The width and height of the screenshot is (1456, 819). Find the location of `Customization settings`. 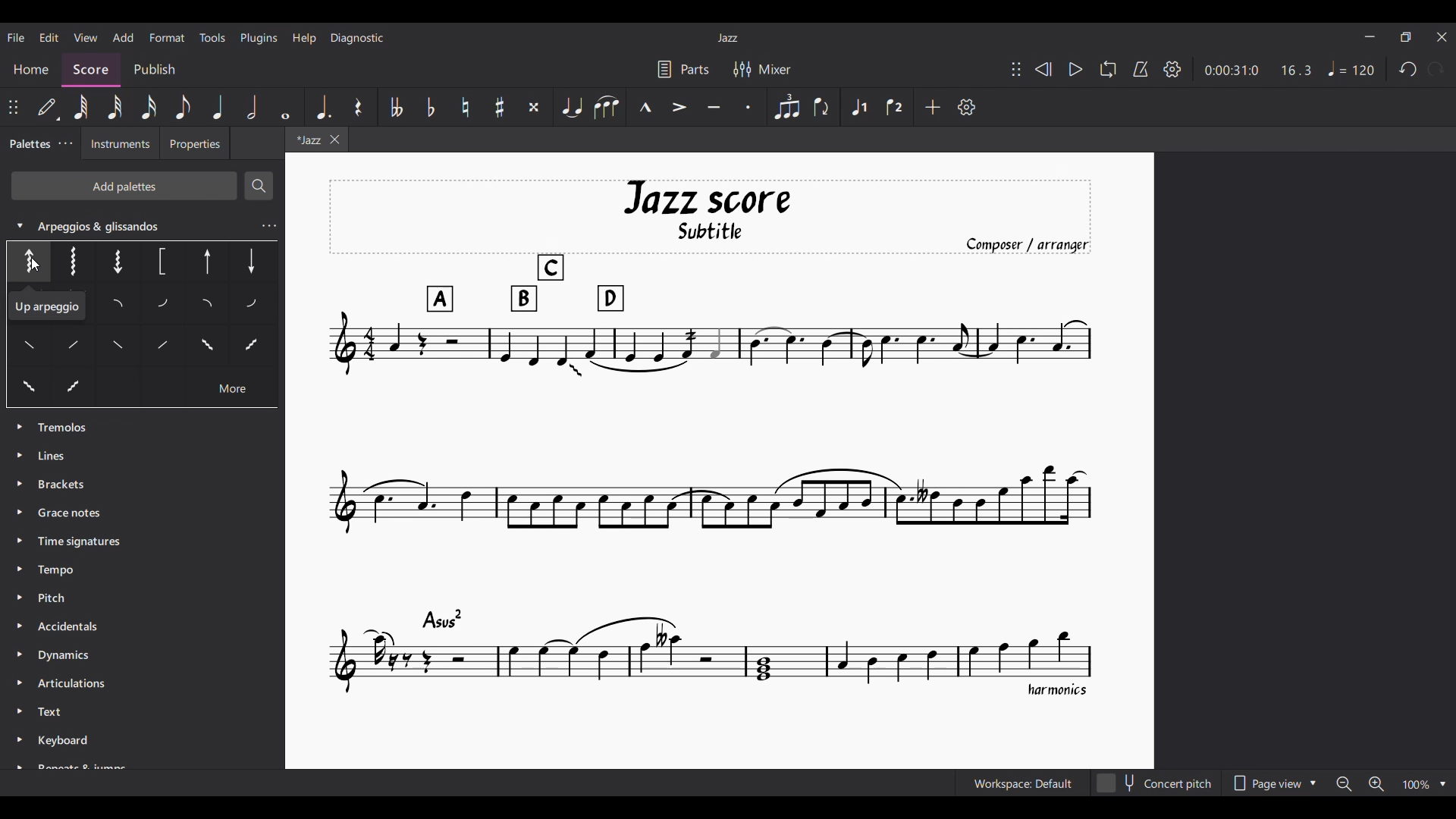

Customization settings is located at coordinates (966, 107).